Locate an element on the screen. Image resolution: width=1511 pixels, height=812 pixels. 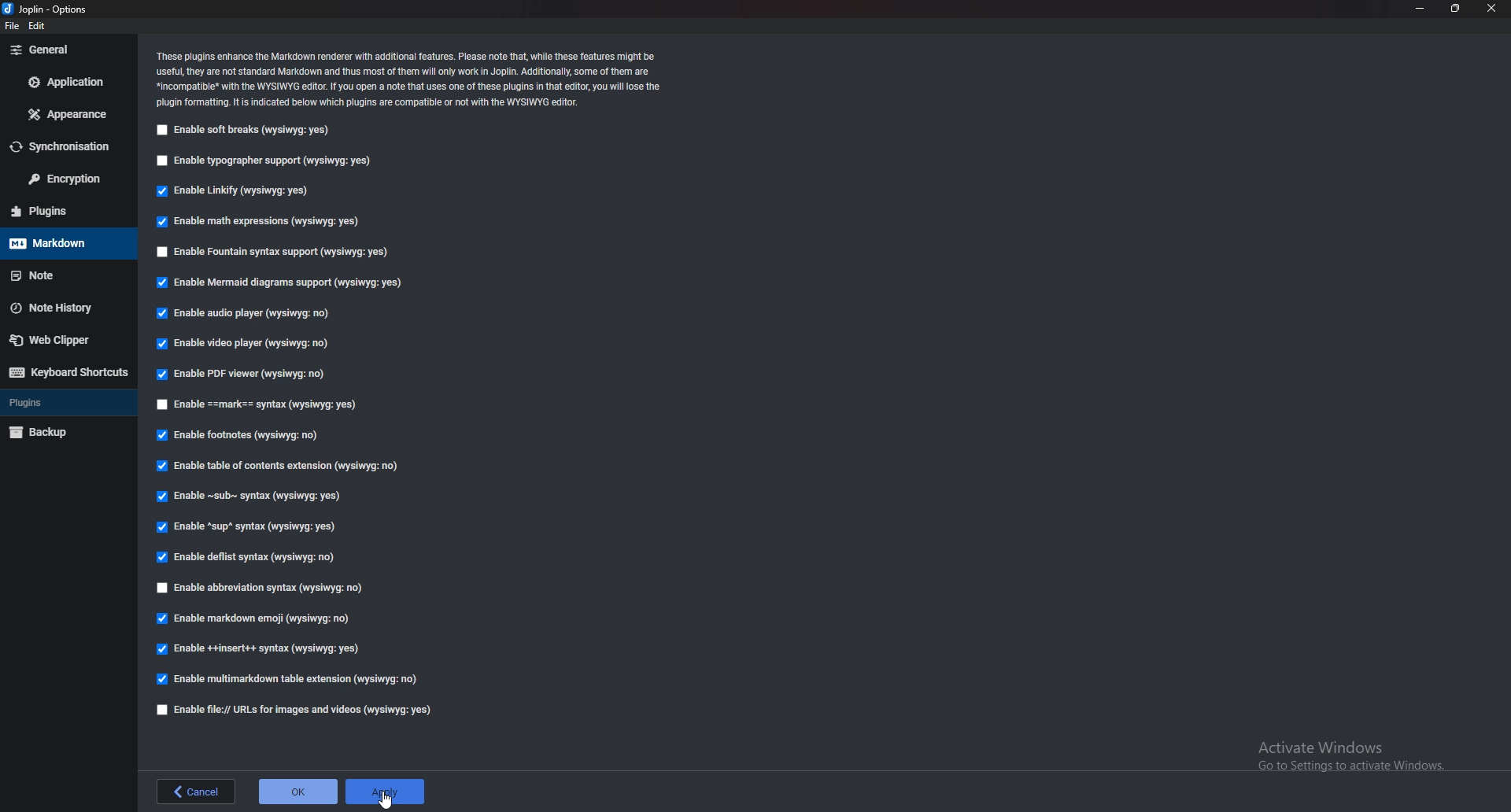
Synchronization is located at coordinates (65, 148).